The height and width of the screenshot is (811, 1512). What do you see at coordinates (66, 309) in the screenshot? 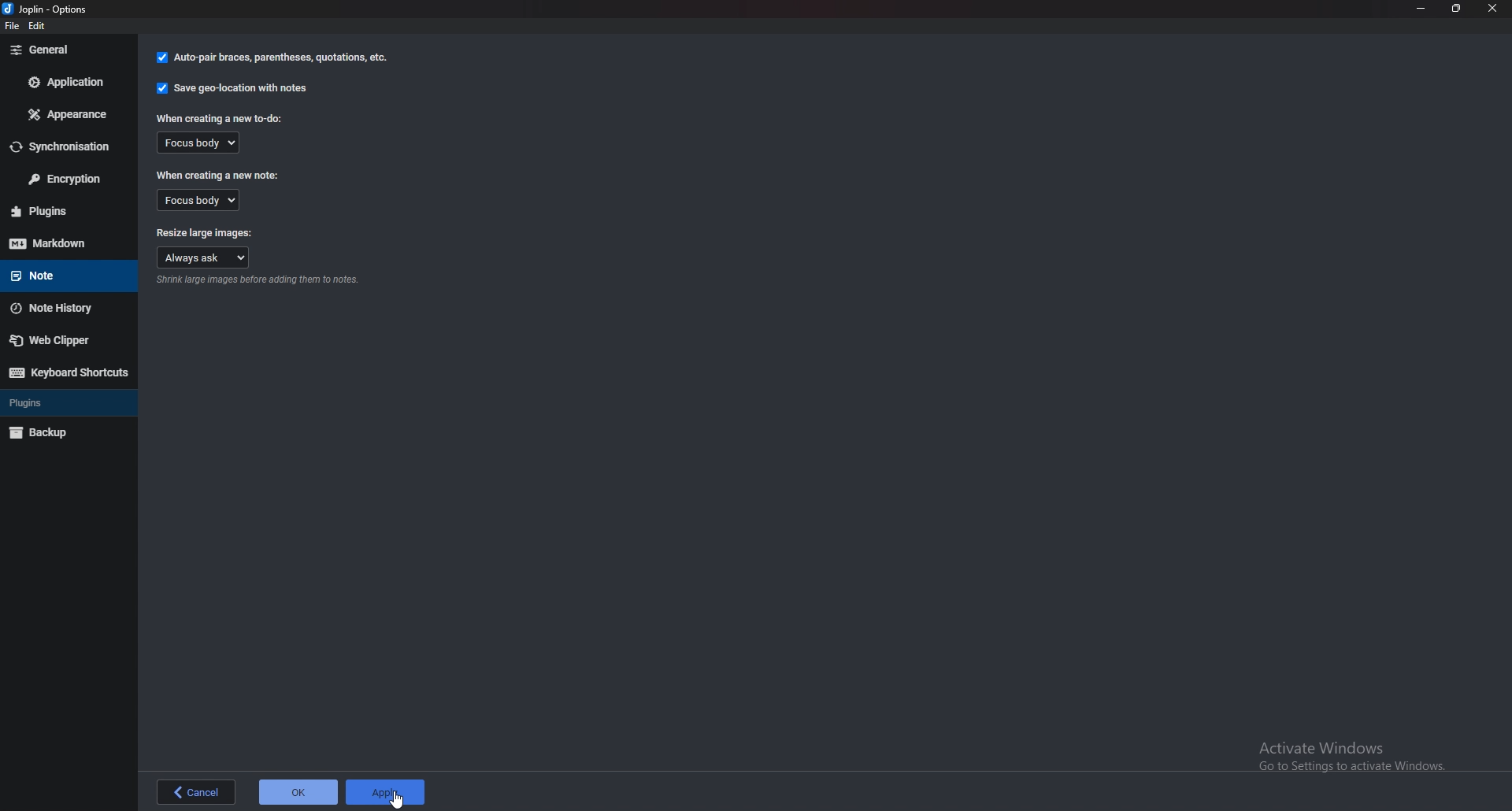
I see `Note history` at bounding box center [66, 309].